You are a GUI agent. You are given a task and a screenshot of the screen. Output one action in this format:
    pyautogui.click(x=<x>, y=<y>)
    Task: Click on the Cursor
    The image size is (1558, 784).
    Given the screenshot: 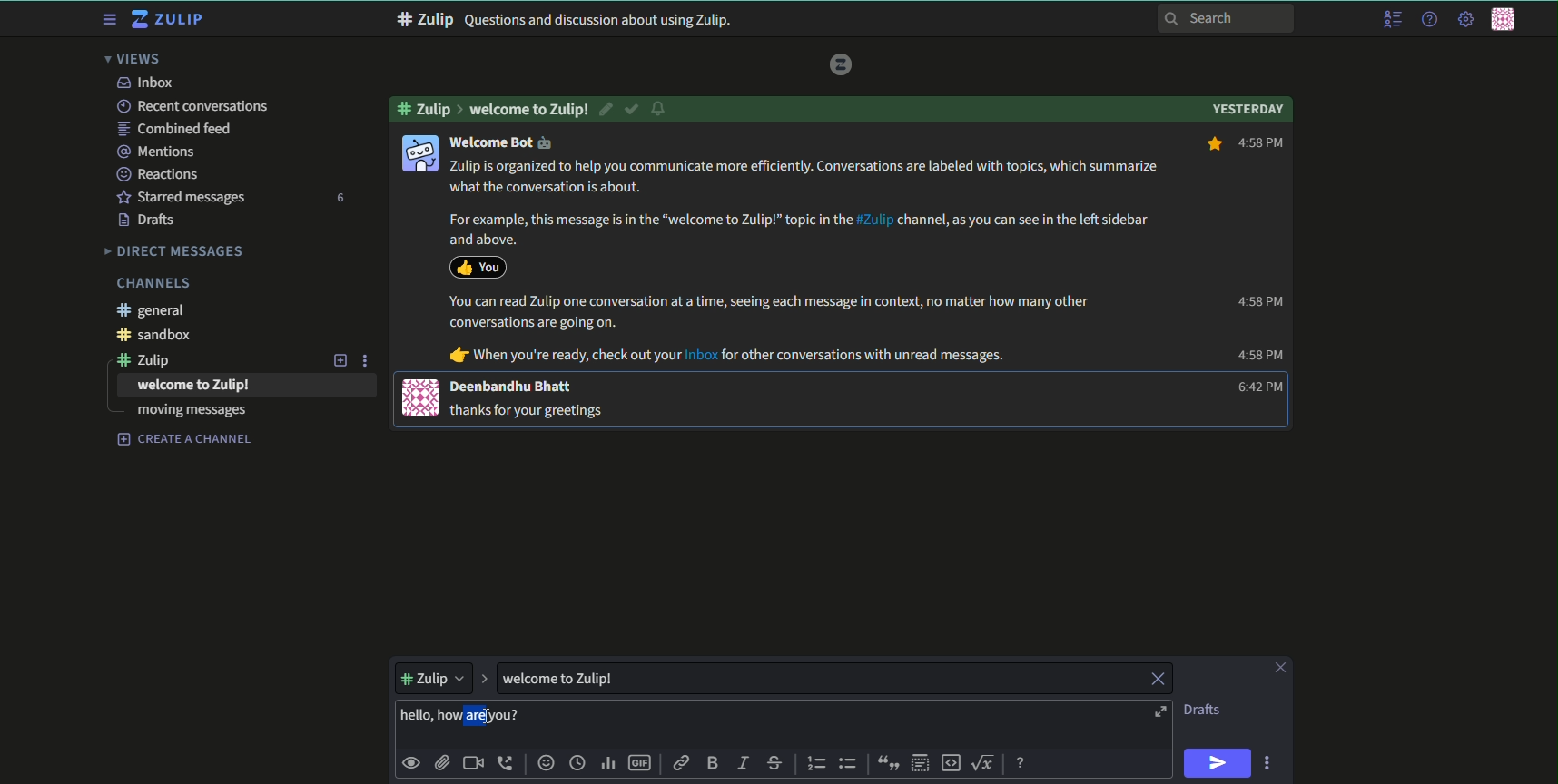 What is the action you would take?
    pyautogui.click(x=493, y=718)
    